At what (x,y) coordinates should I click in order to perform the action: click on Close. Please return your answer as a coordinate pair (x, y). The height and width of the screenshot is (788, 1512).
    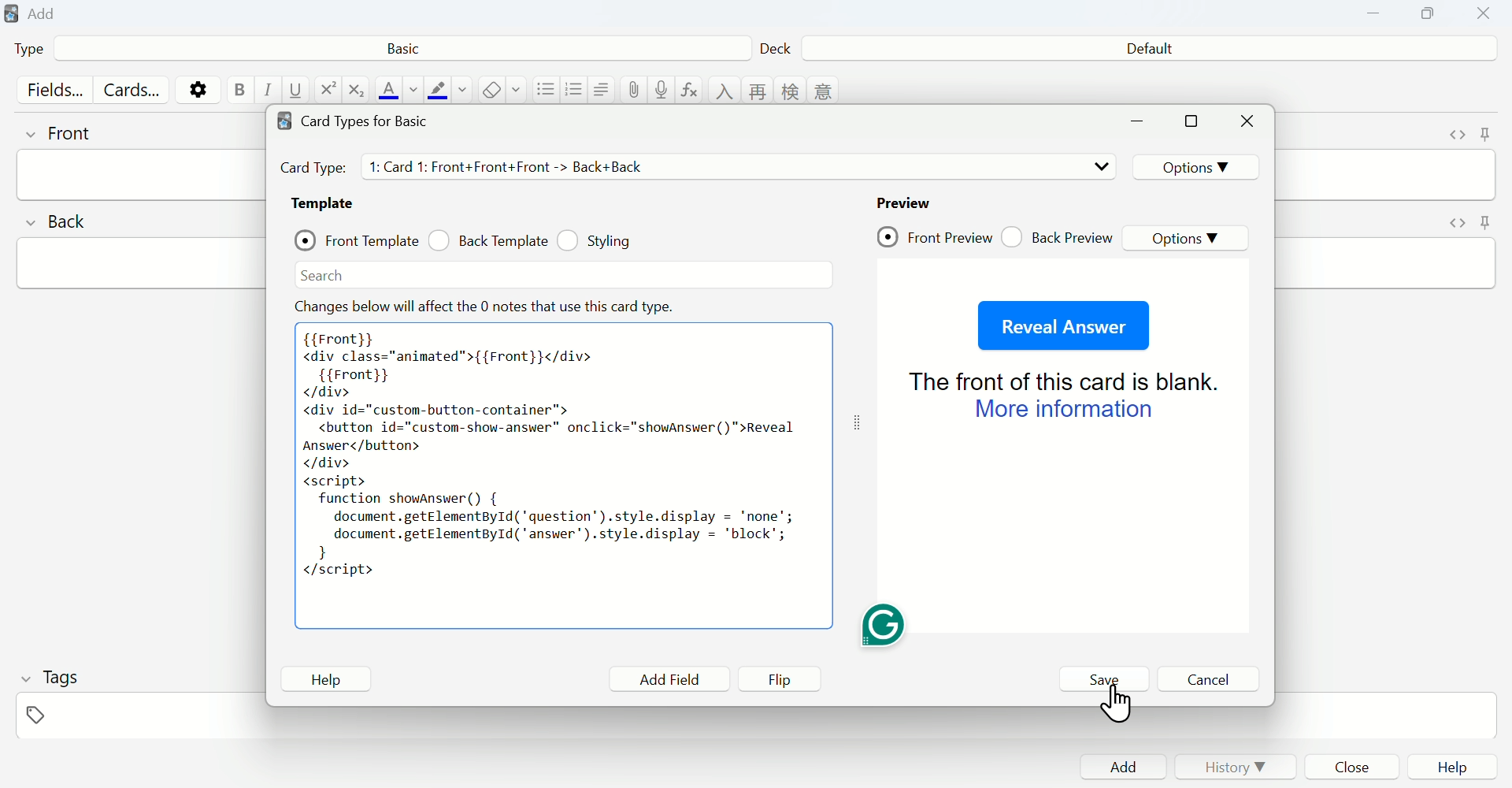
    Looking at the image, I should click on (1247, 123).